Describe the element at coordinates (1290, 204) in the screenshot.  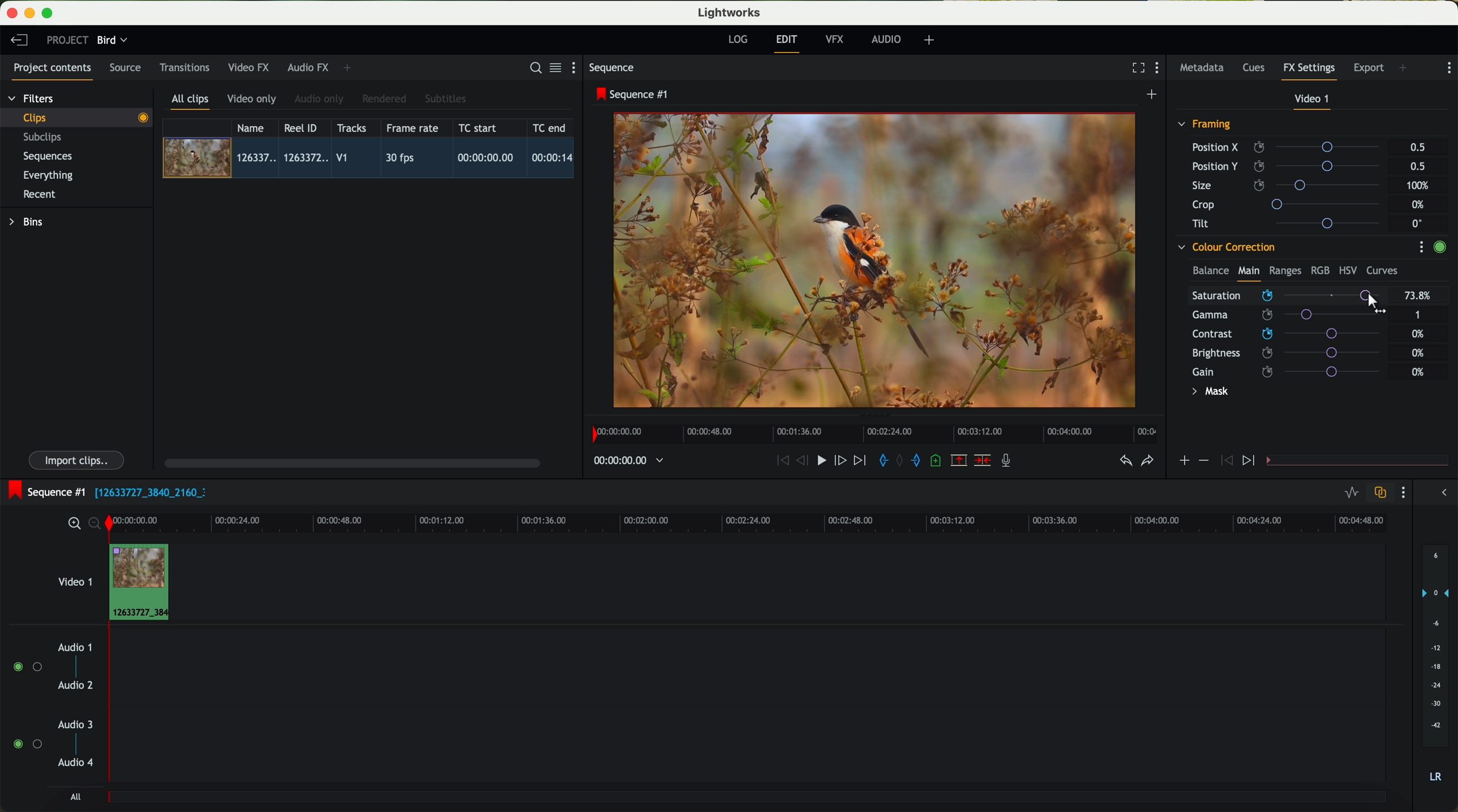
I see `crop` at that location.